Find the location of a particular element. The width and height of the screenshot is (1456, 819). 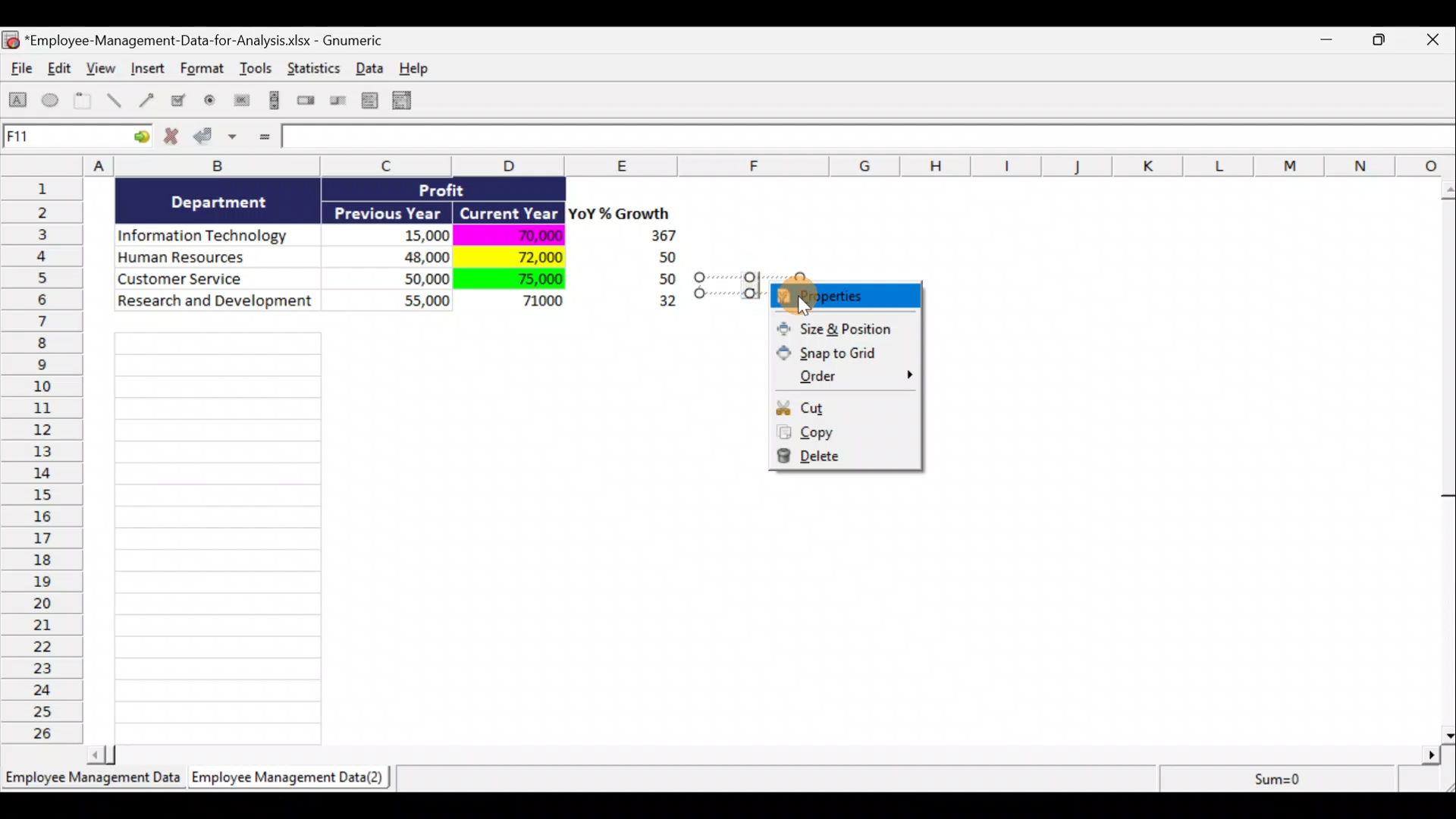

Create an ellipse object is located at coordinates (51, 101).